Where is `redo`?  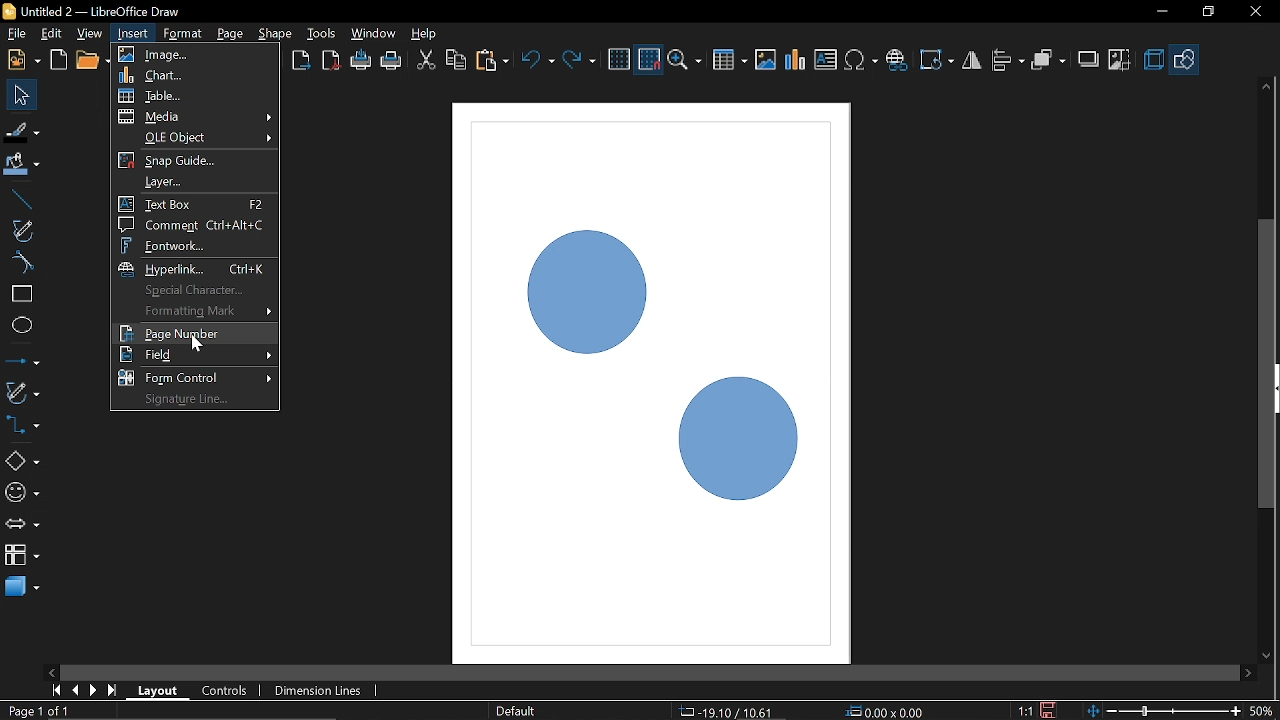 redo is located at coordinates (579, 60).